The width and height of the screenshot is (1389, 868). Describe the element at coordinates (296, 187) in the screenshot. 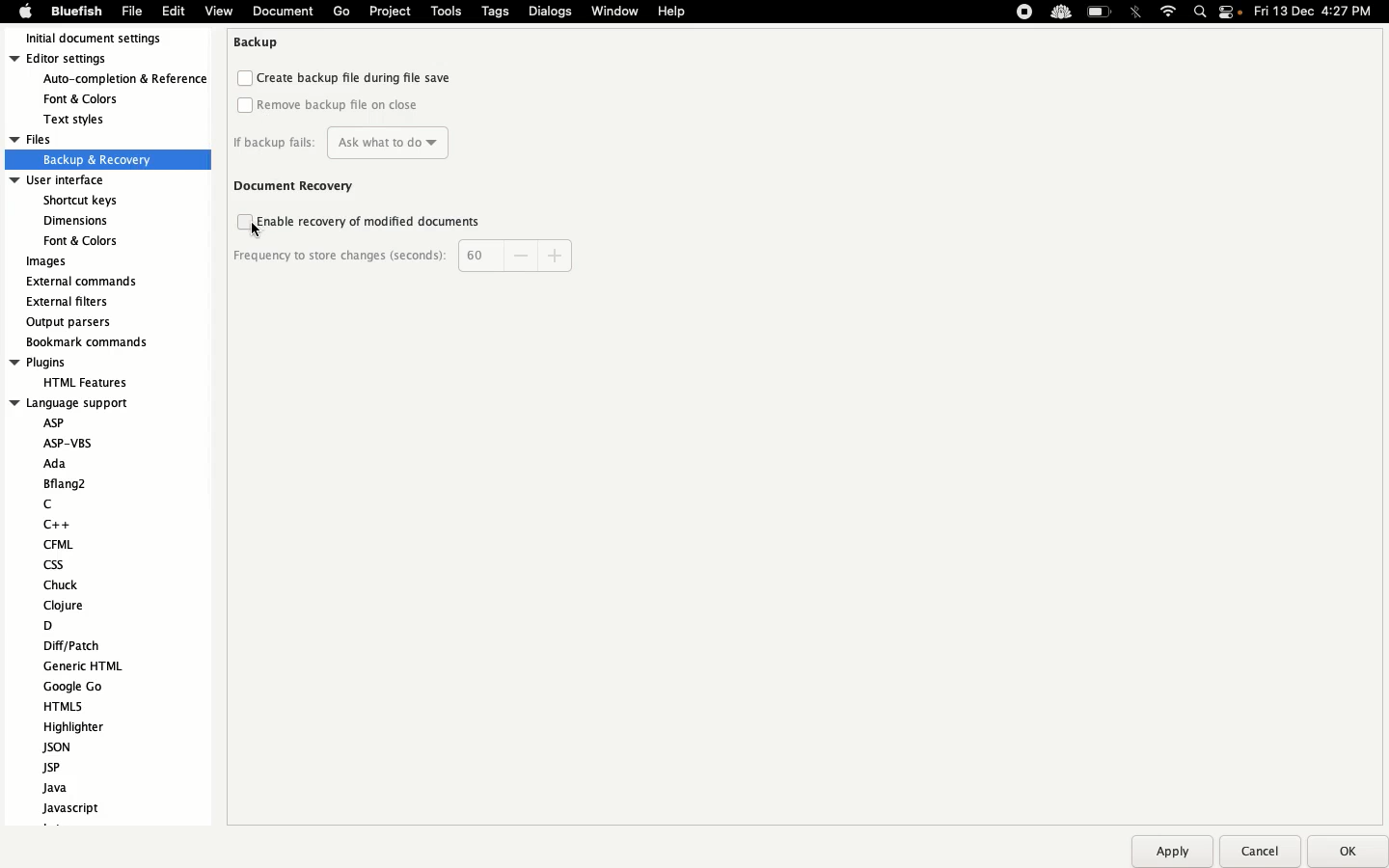

I see `Document recovery` at that location.